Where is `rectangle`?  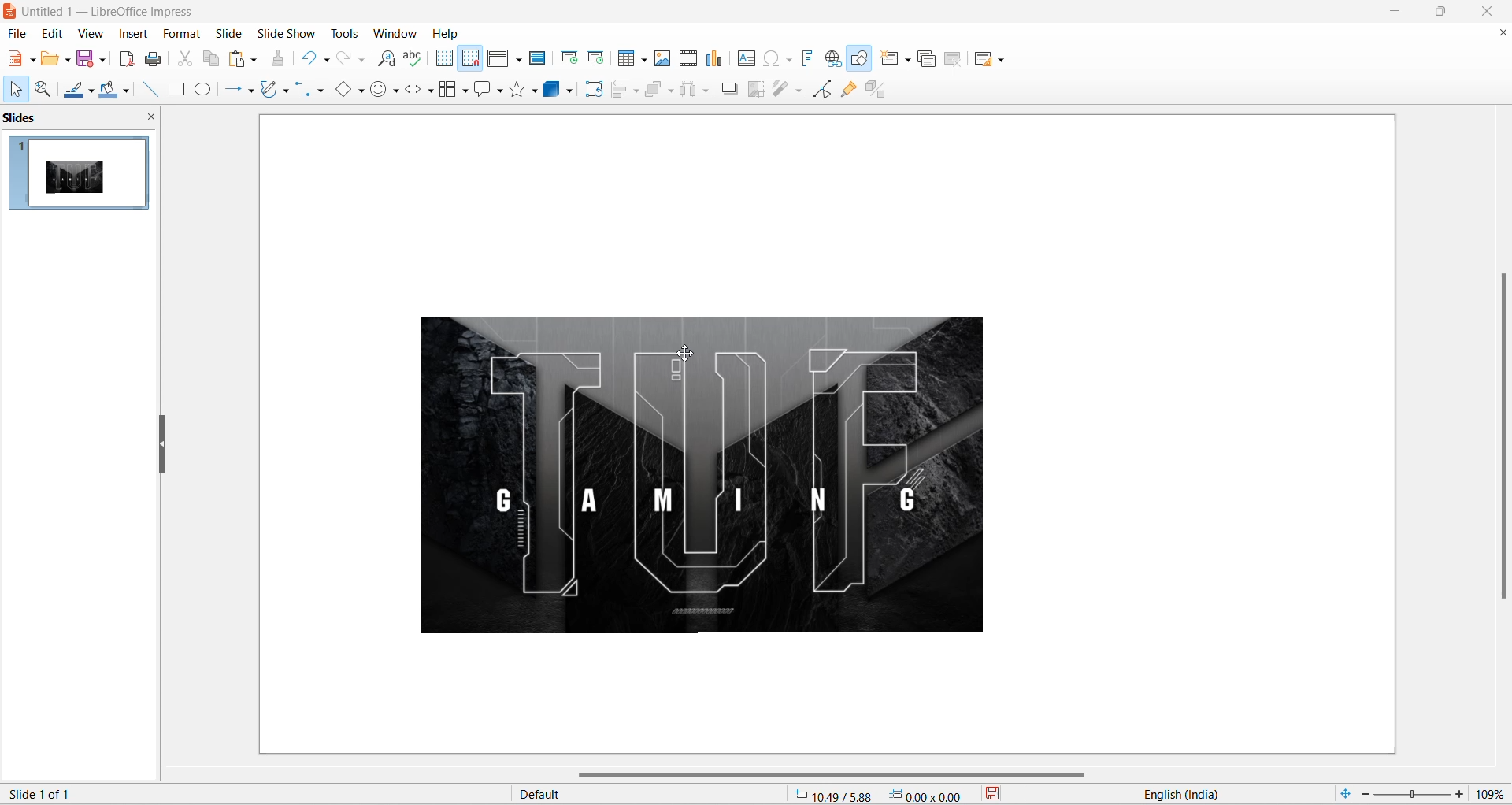
rectangle is located at coordinates (176, 91).